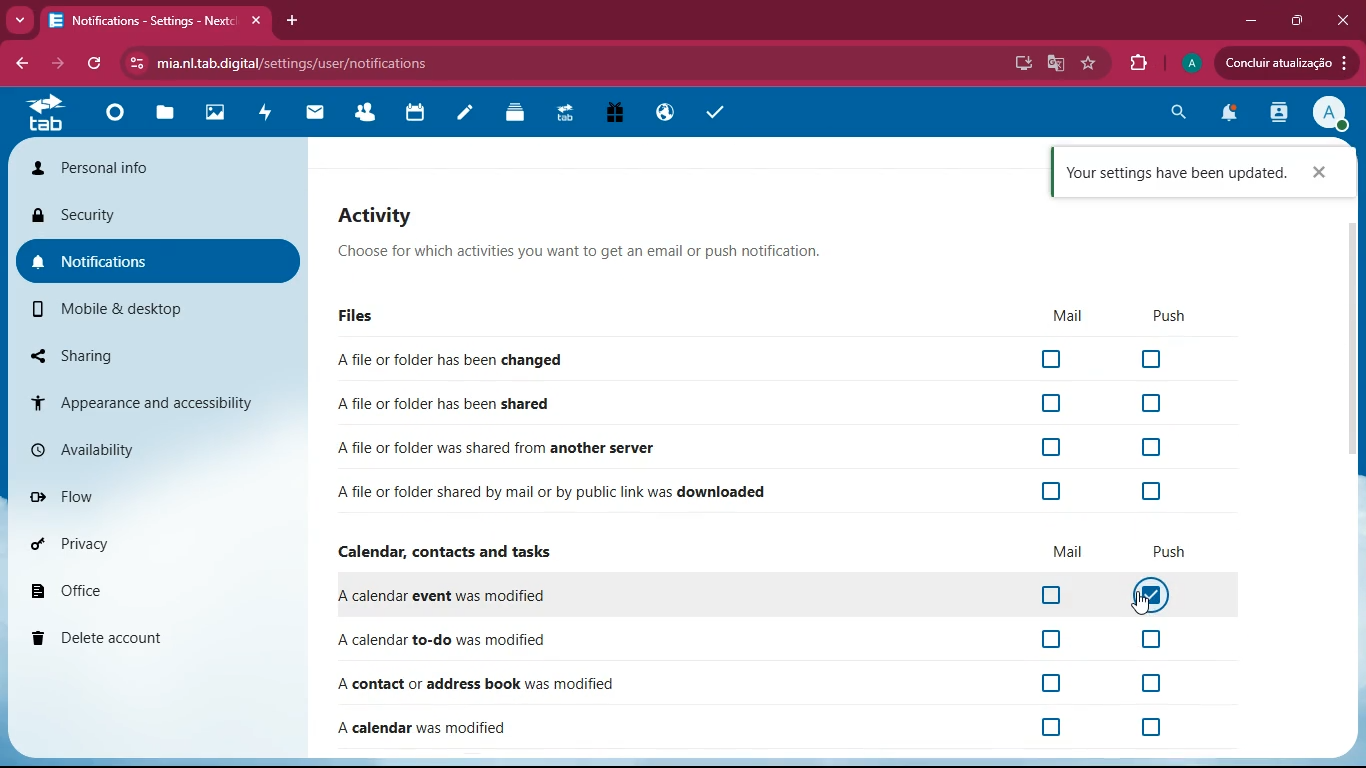  What do you see at coordinates (1153, 490) in the screenshot?
I see `checkbox` at bounding box center [1153, 490].